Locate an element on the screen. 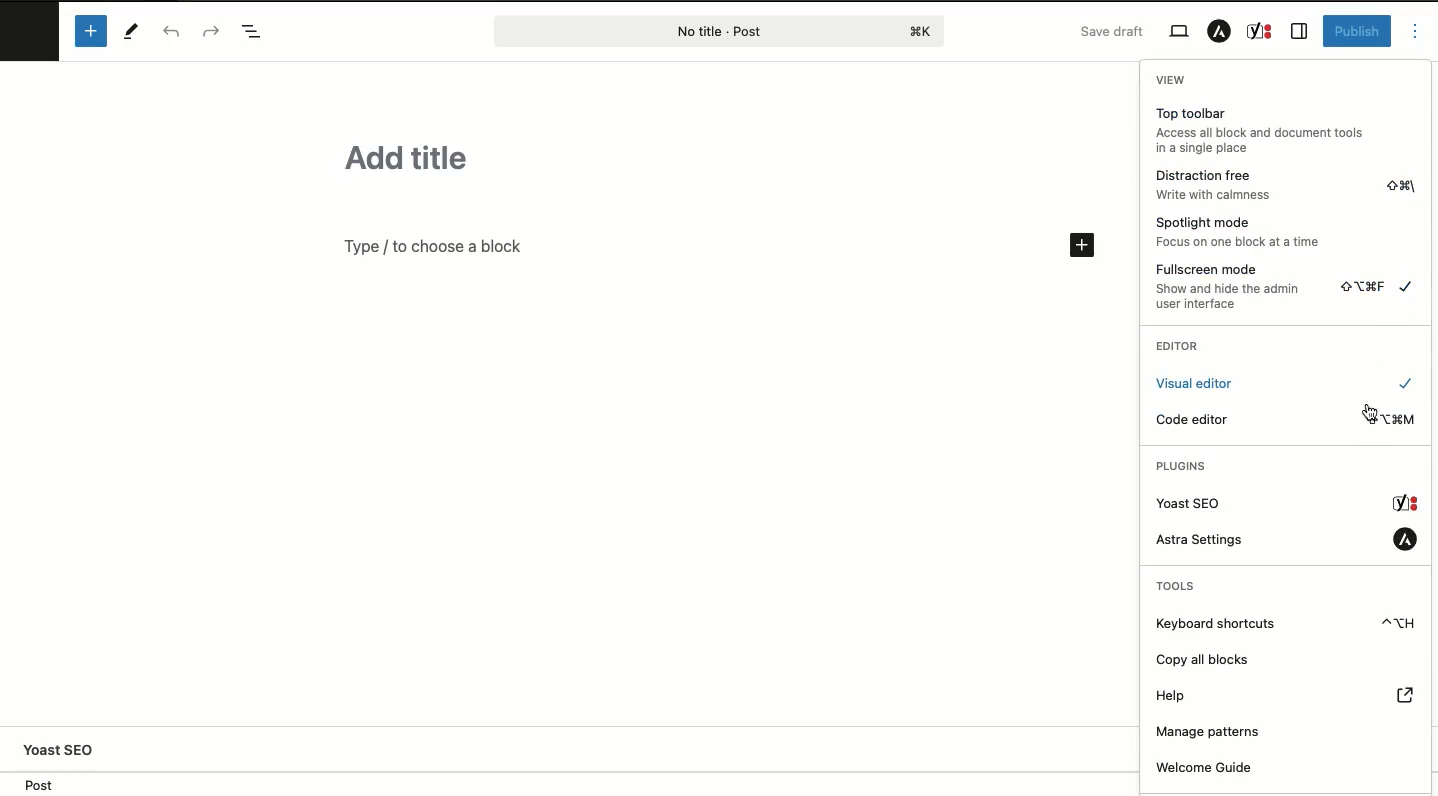 This screenshot has width=1438, height=796. Publish is located at coordinates (1355, 31).